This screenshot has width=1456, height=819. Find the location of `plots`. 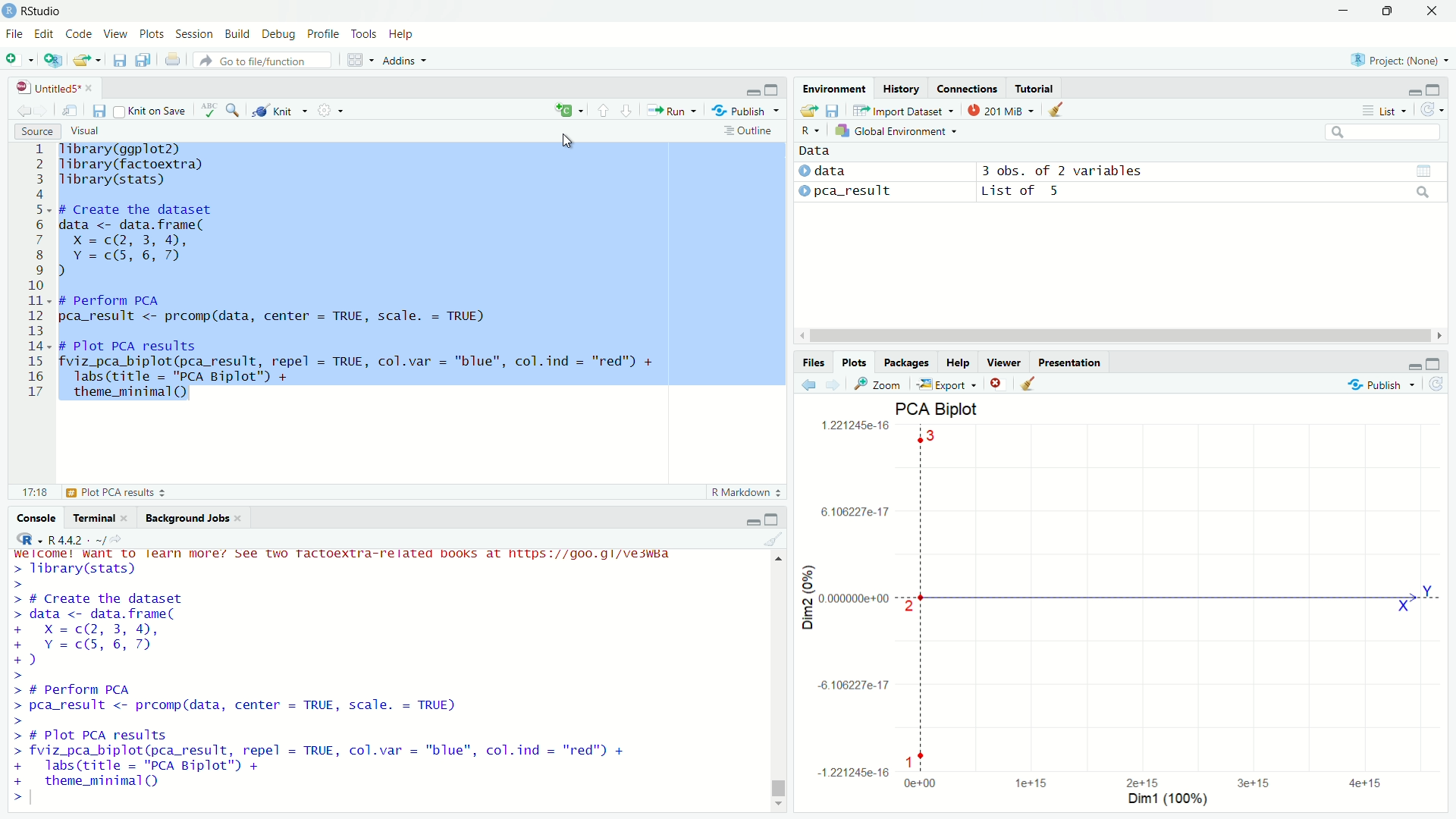

plots is located at coordinates (152, 35).